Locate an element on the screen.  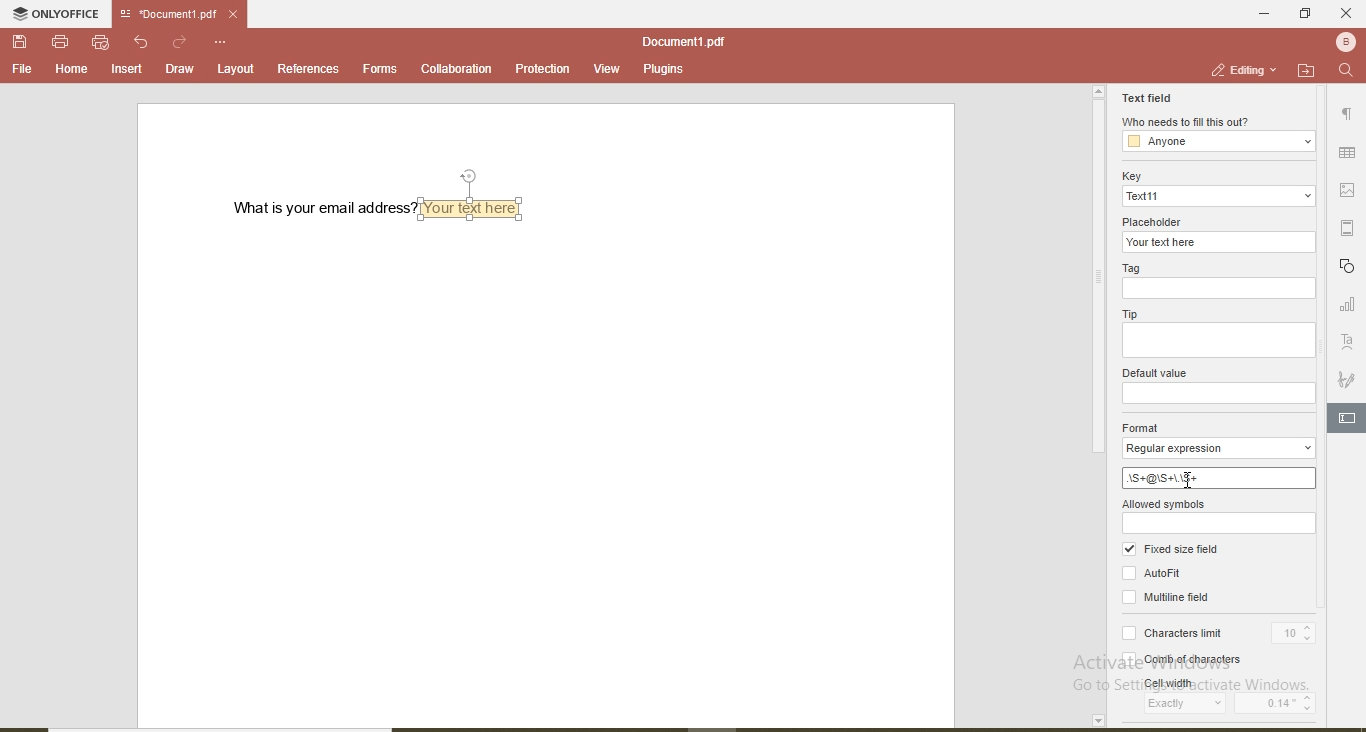
tag input is located at coordinates (1217, 289).